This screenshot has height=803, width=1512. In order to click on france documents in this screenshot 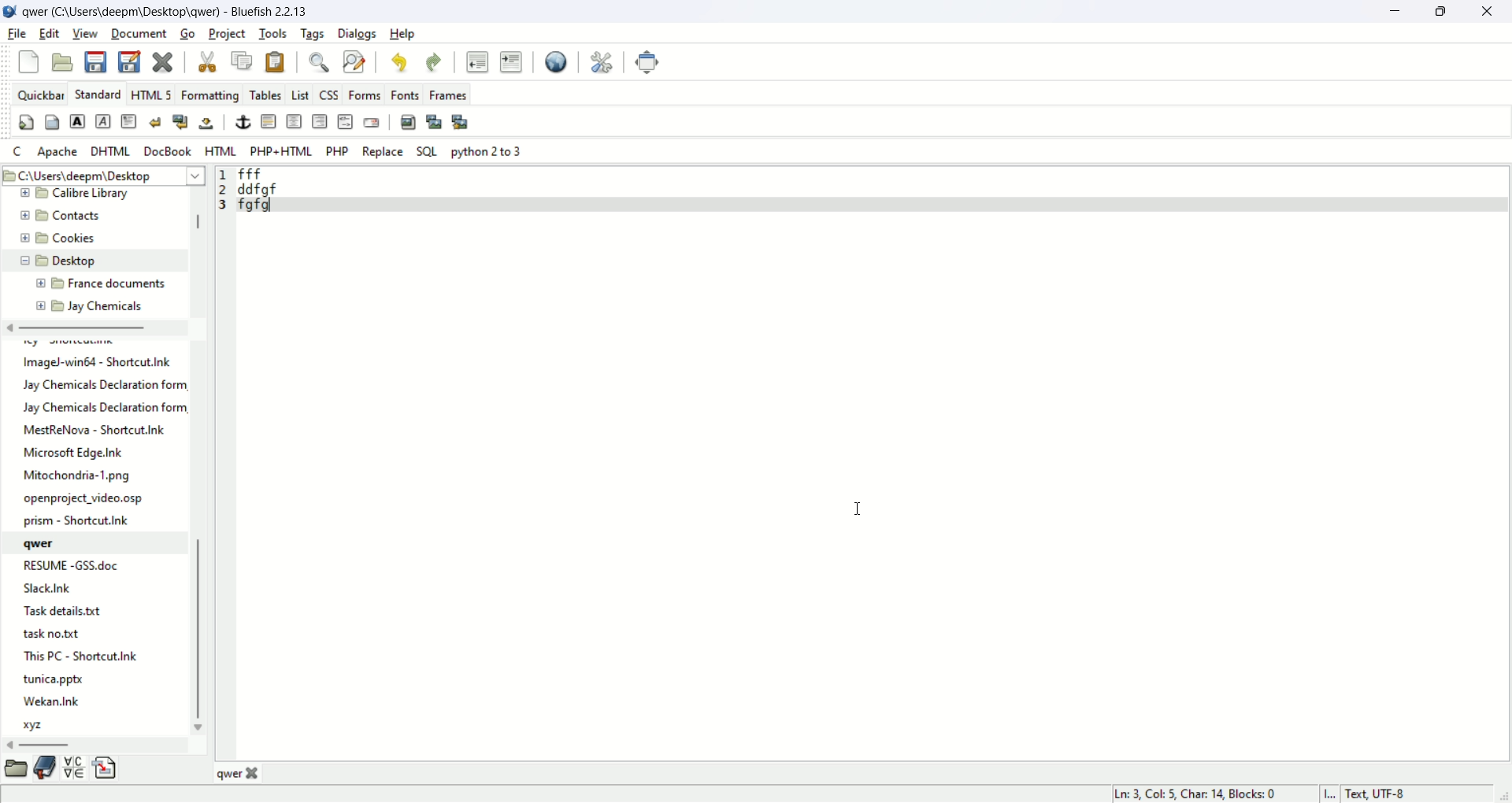, I will do `click(106, 281)`.